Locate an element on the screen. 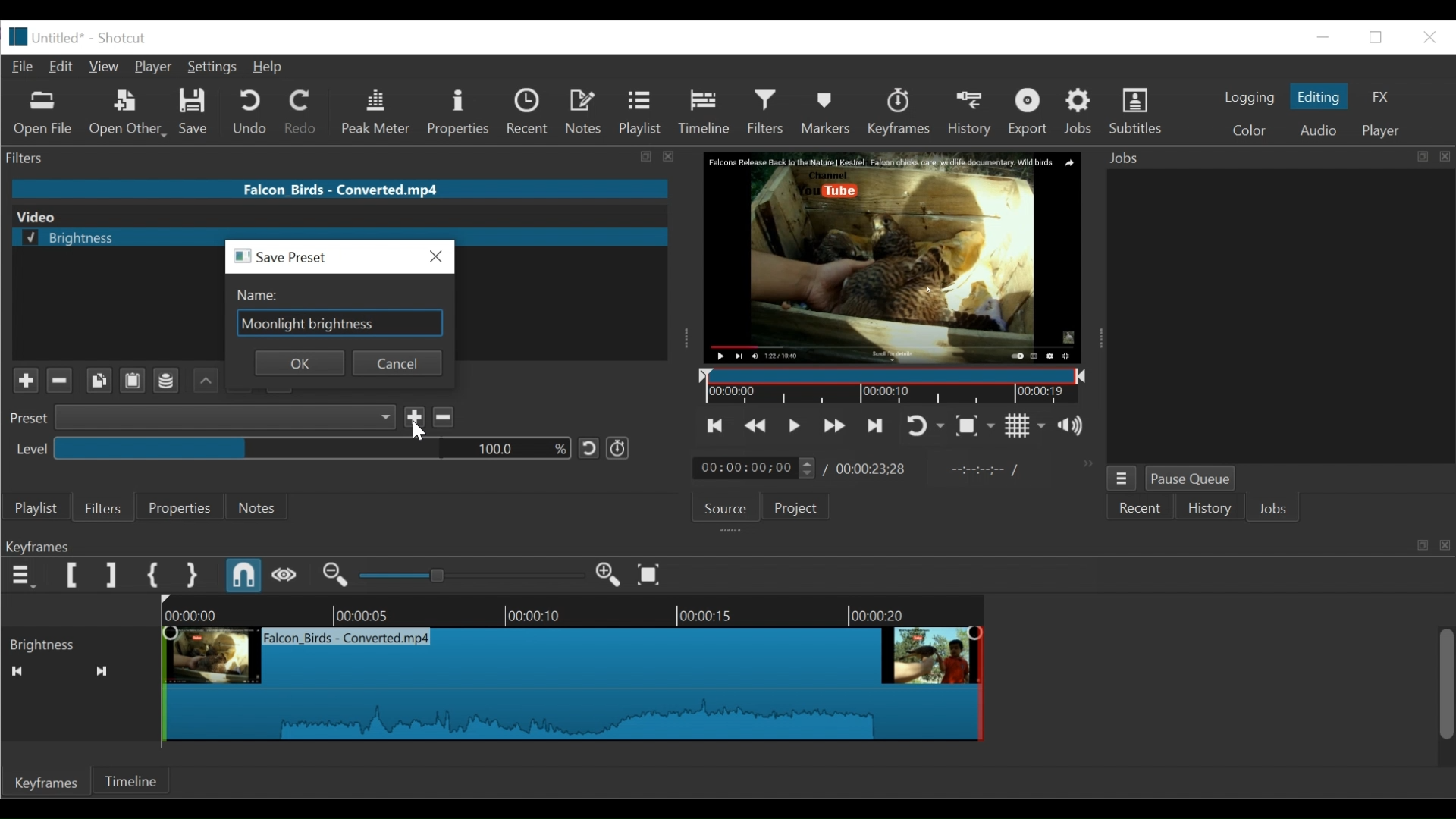 The height and width of the screenshot is (819, 1456). Jobs is located at coordinates (1275, 510).